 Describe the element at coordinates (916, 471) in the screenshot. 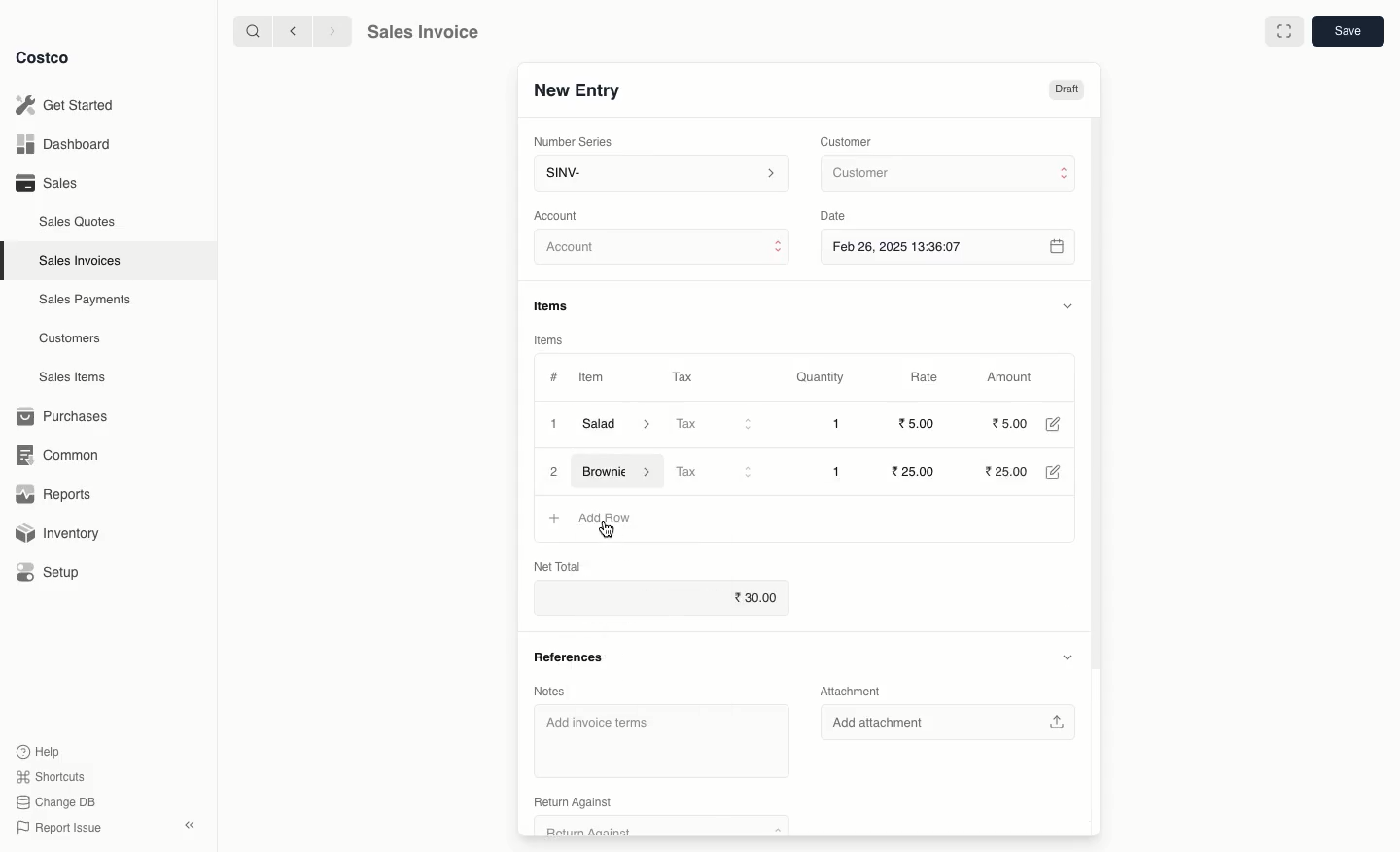

I see `25.00` at that location.